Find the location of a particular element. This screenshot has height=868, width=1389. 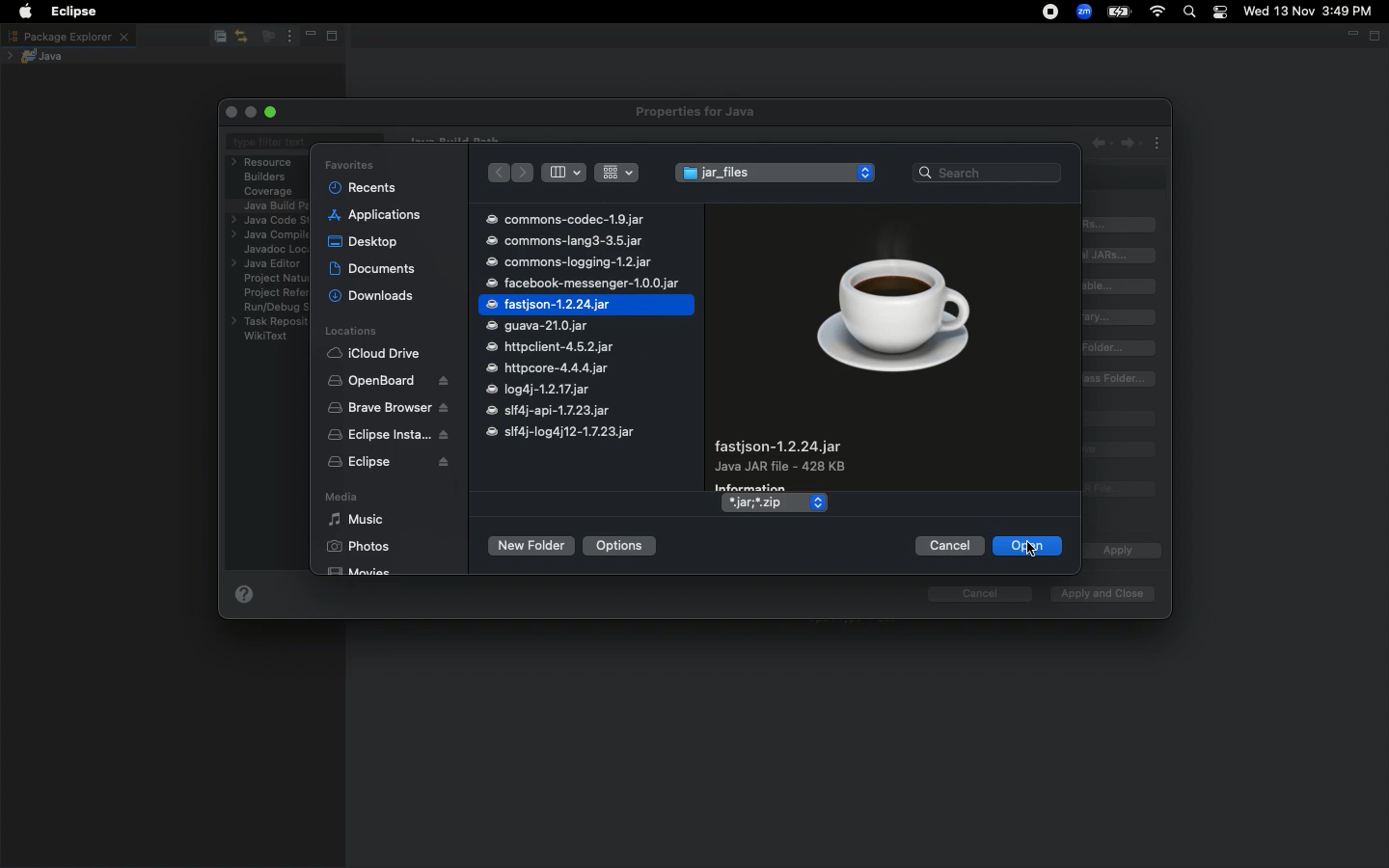

RuryDebug is located at coordinates (276, 310).